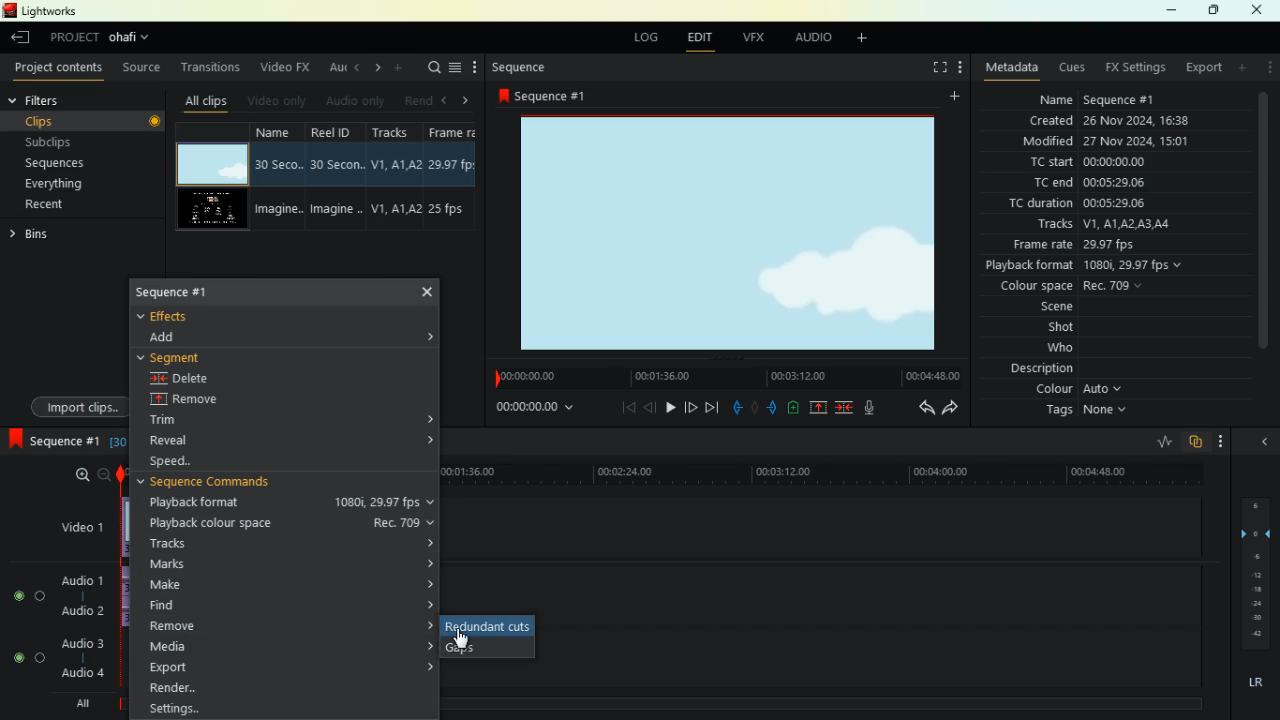 The image size is (1280, 720). I want to click on trim, so click(194, 421).